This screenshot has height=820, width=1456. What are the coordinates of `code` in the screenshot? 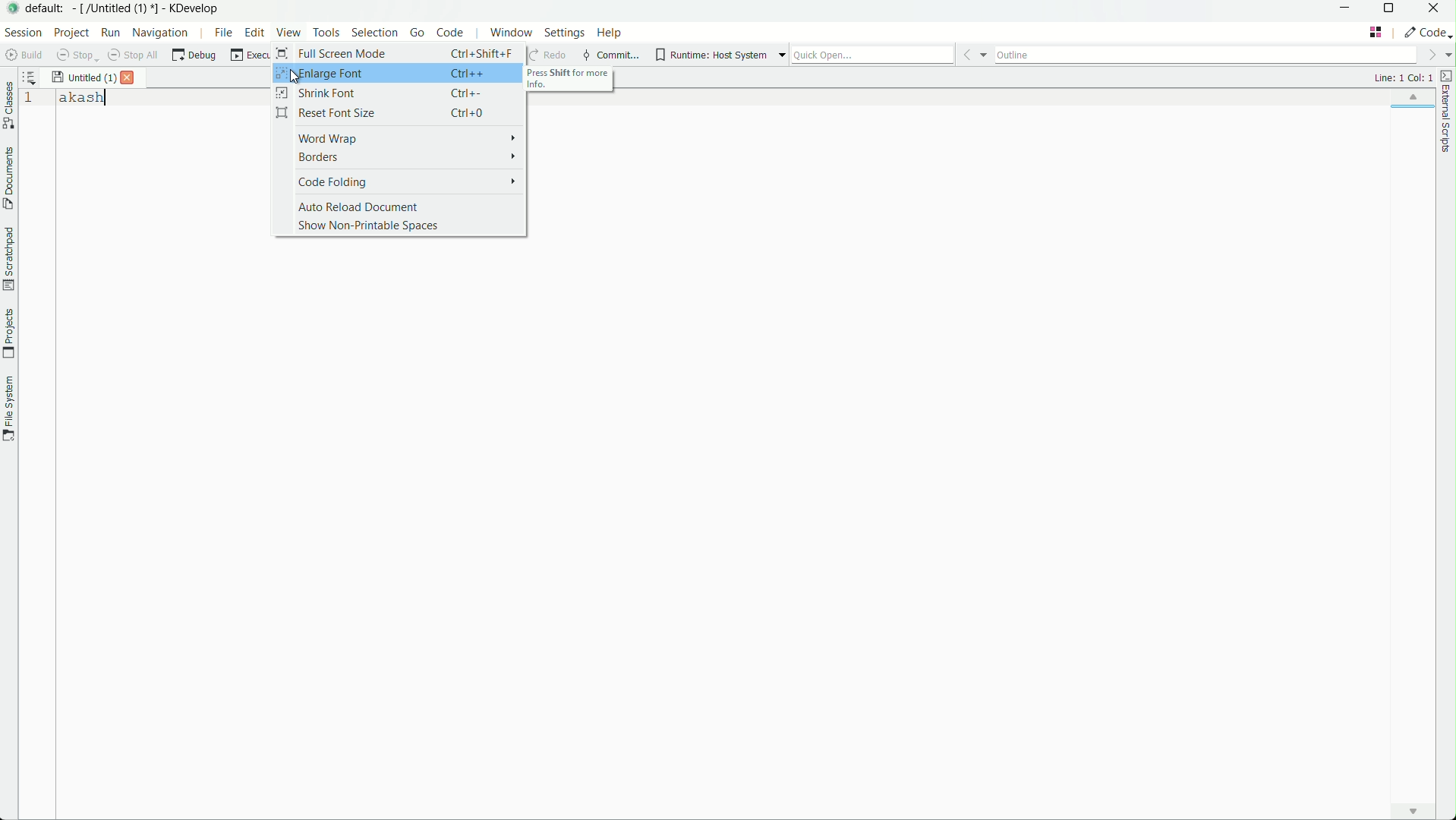 It's located at (449, 32).